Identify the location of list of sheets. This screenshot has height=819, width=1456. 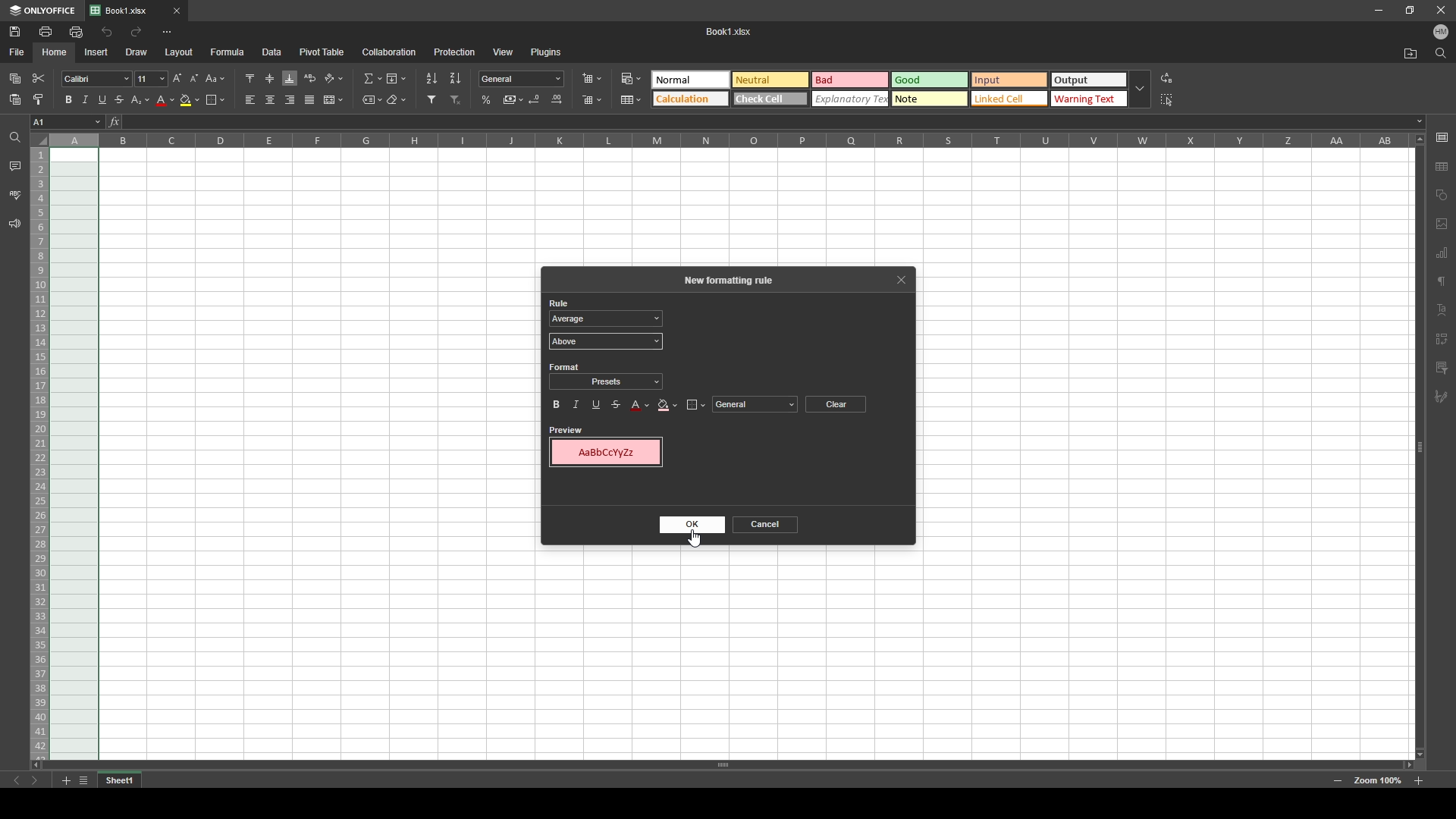
(83, 781).